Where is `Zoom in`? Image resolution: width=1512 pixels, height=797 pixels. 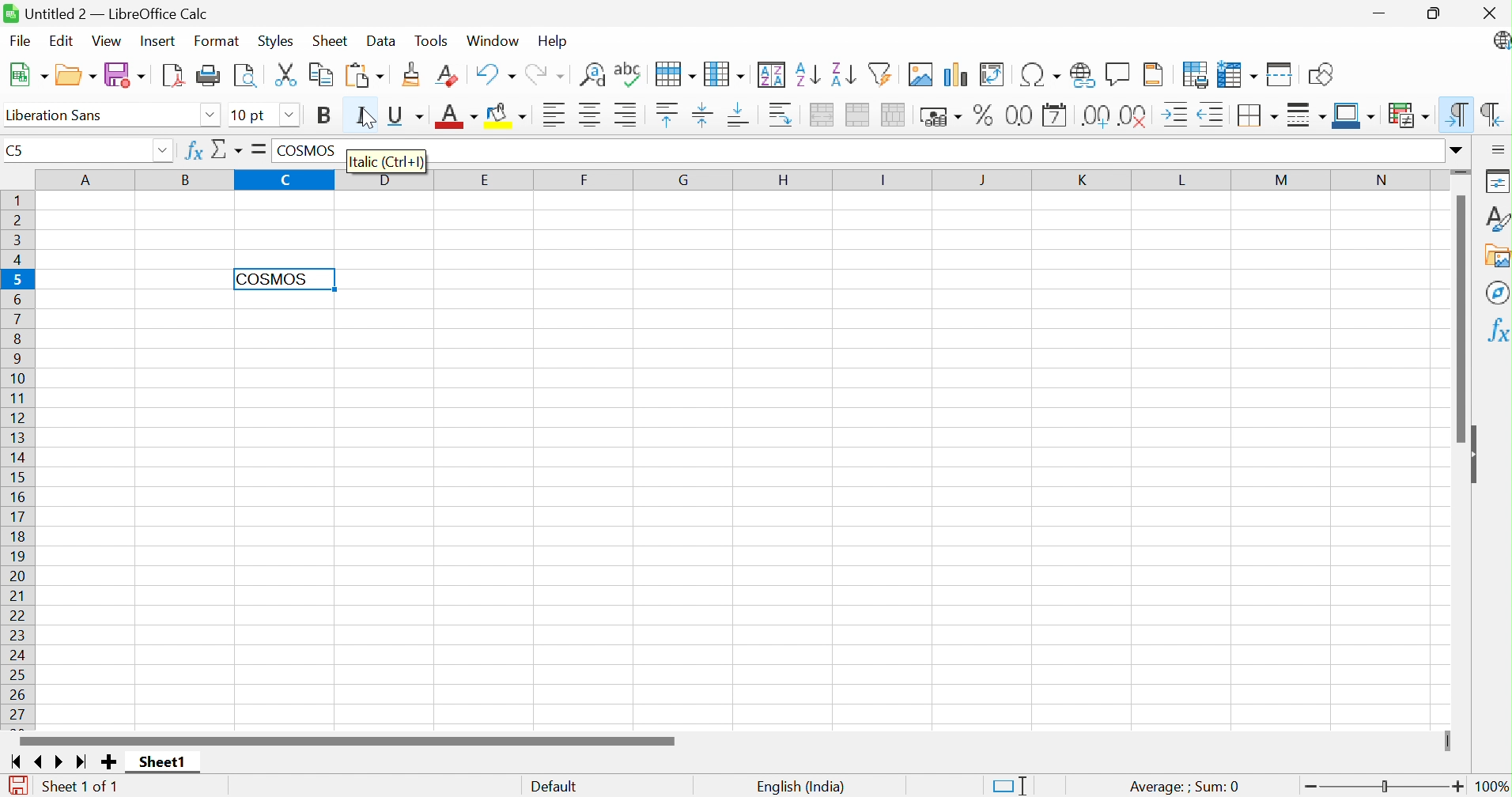 Zoom in is located at coordinates (1458, 786).